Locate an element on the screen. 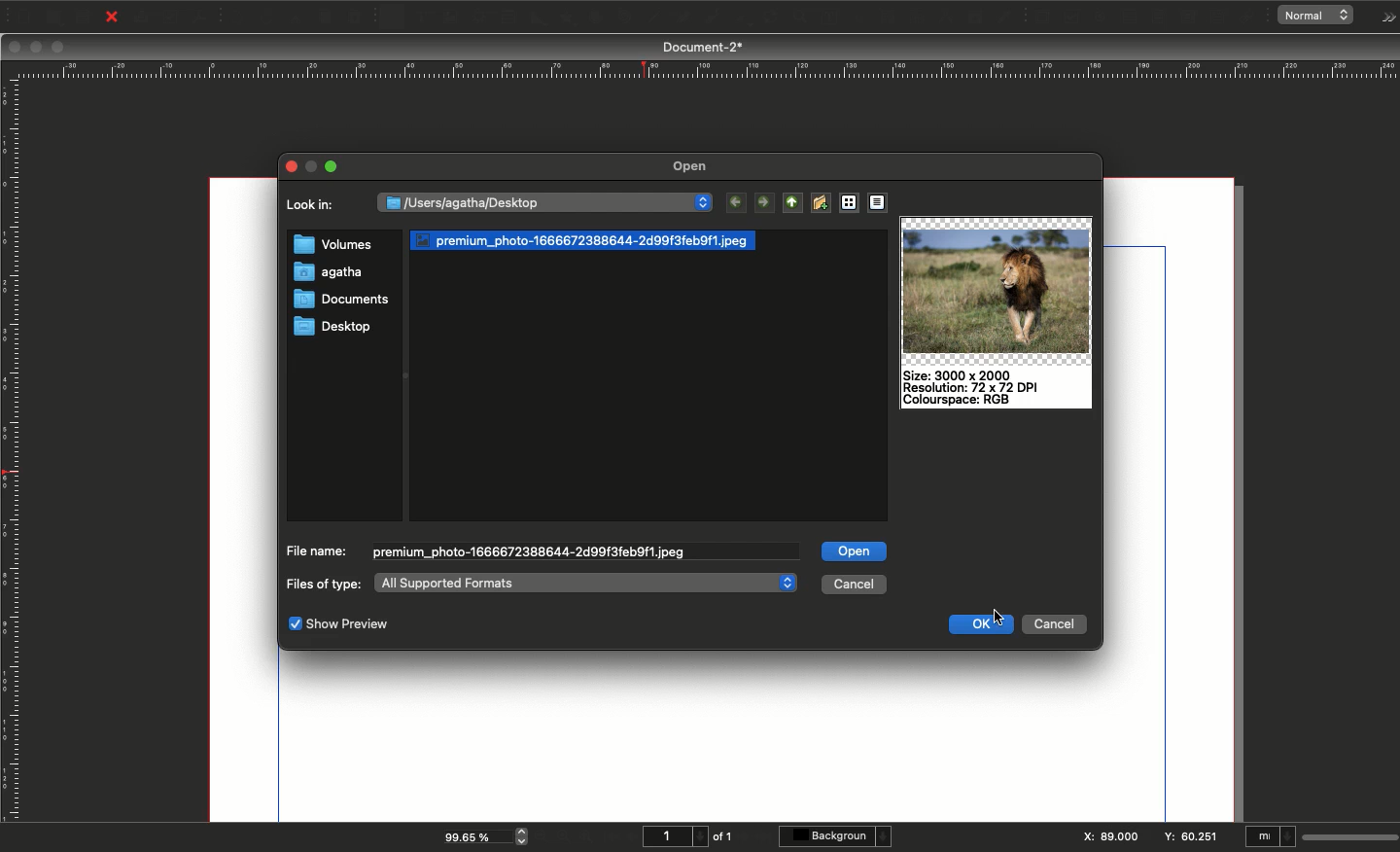 The width and height of the screenshot is (1400, 852). Polygon is located at coordinates (567, 18).